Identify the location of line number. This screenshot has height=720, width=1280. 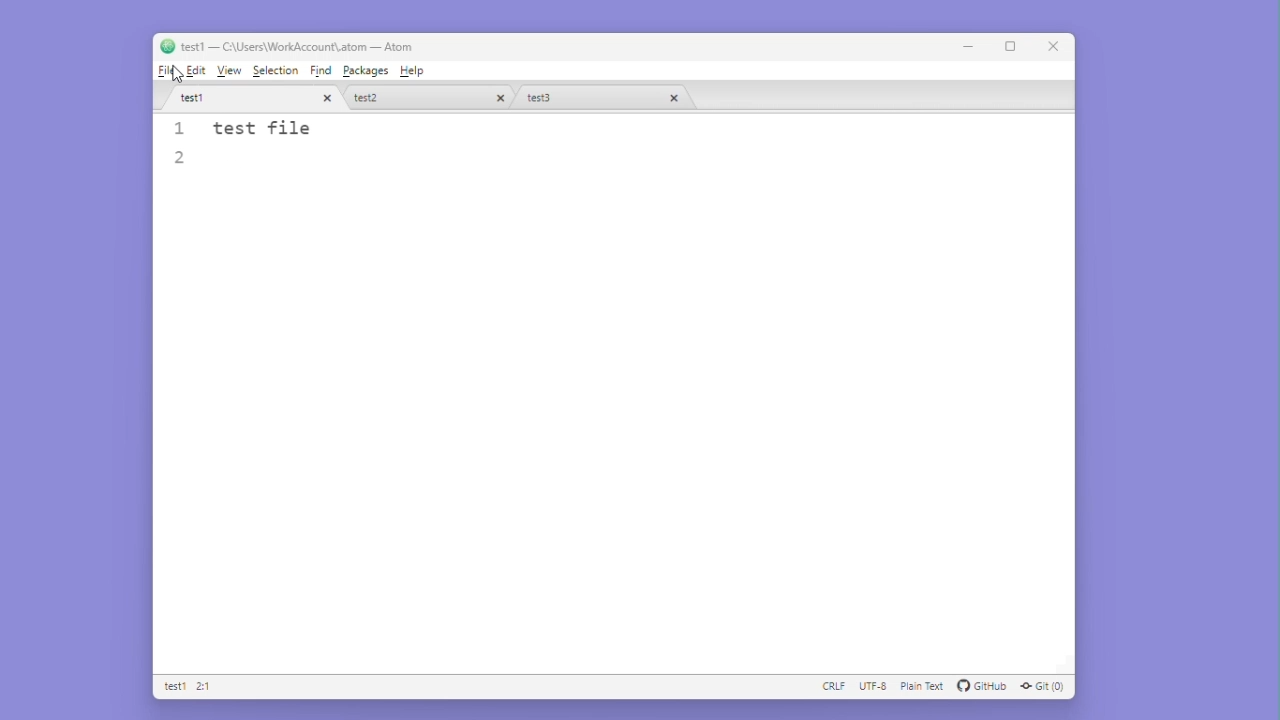
(174, 145).